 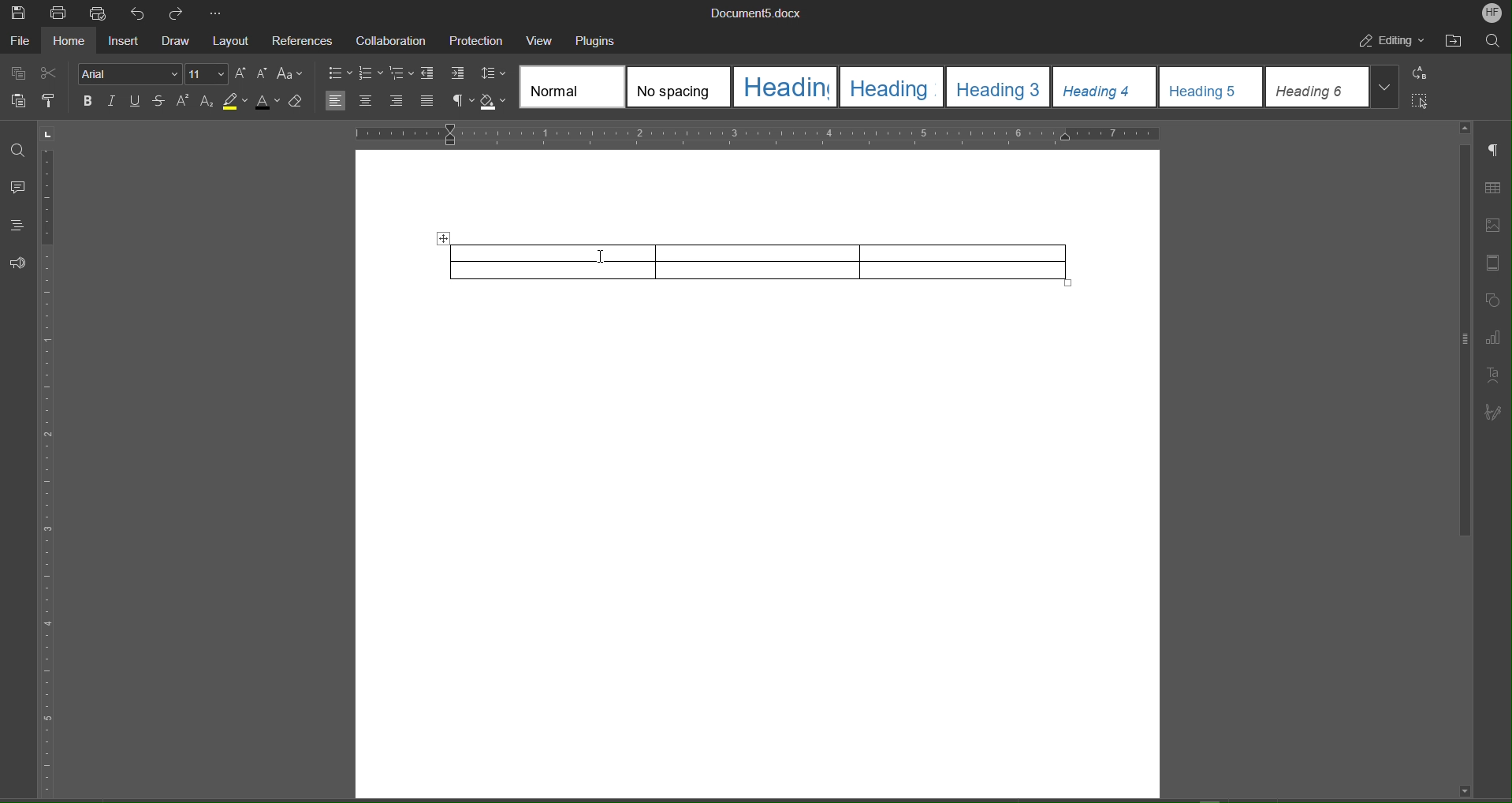 I want to click on No spacing, so click(x=679, y=87).